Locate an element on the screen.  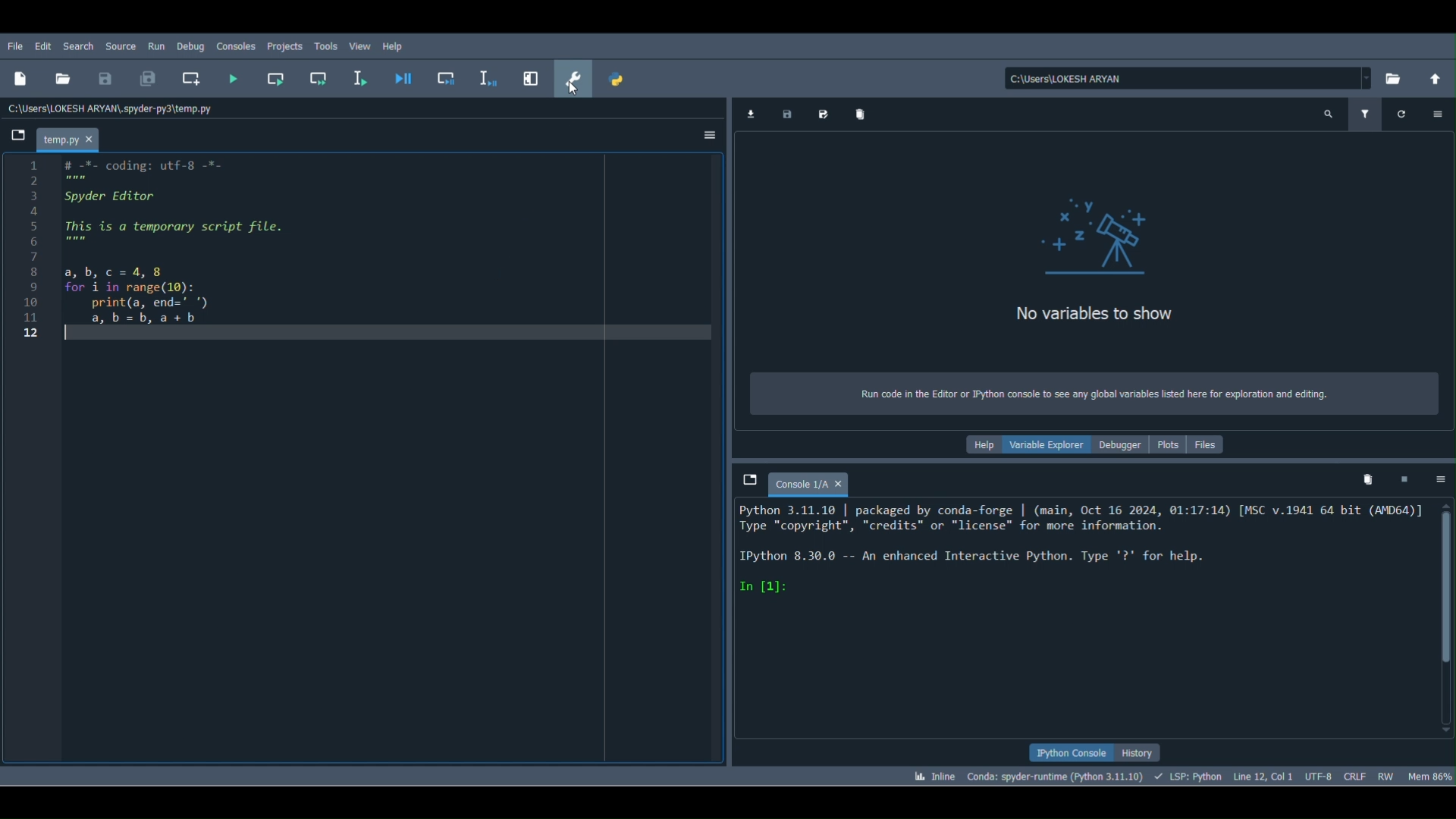
Code block is located at coordinates (361, 460).